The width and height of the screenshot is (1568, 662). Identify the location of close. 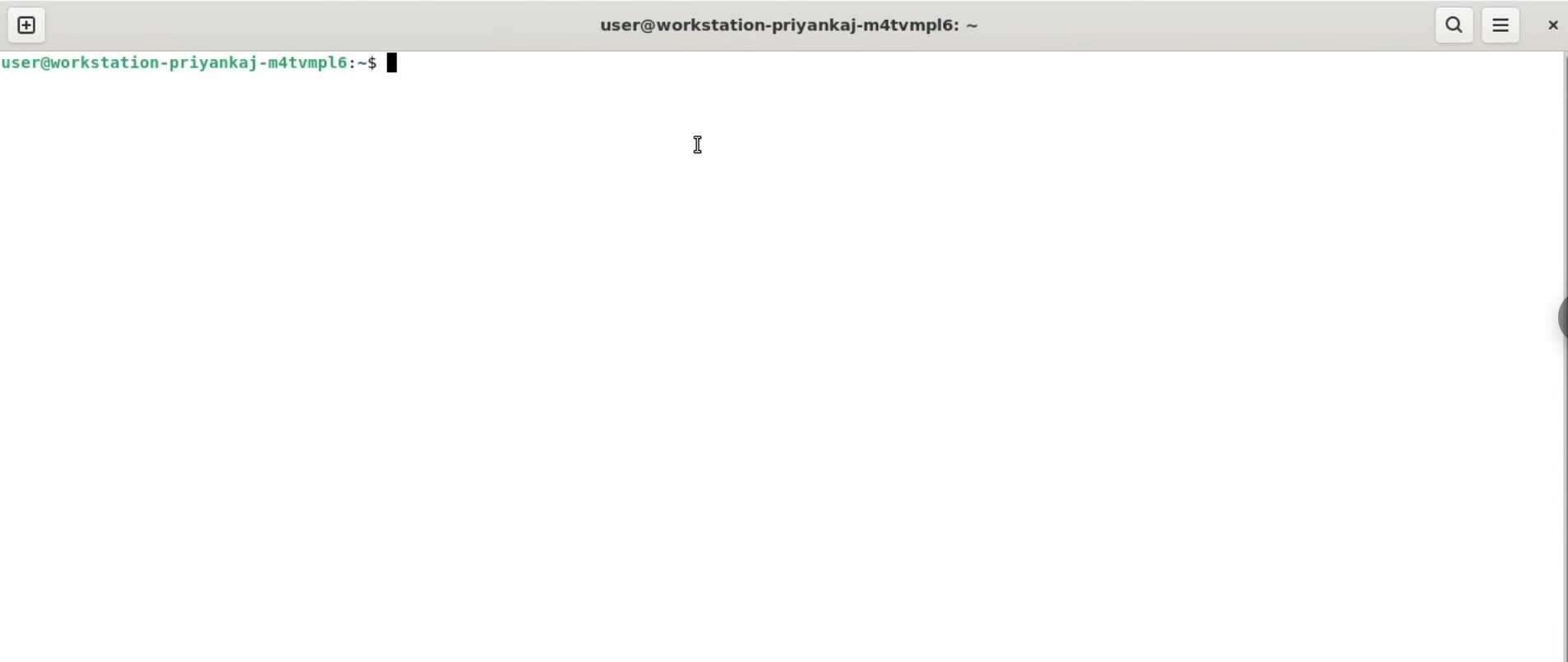
(1547, 29).